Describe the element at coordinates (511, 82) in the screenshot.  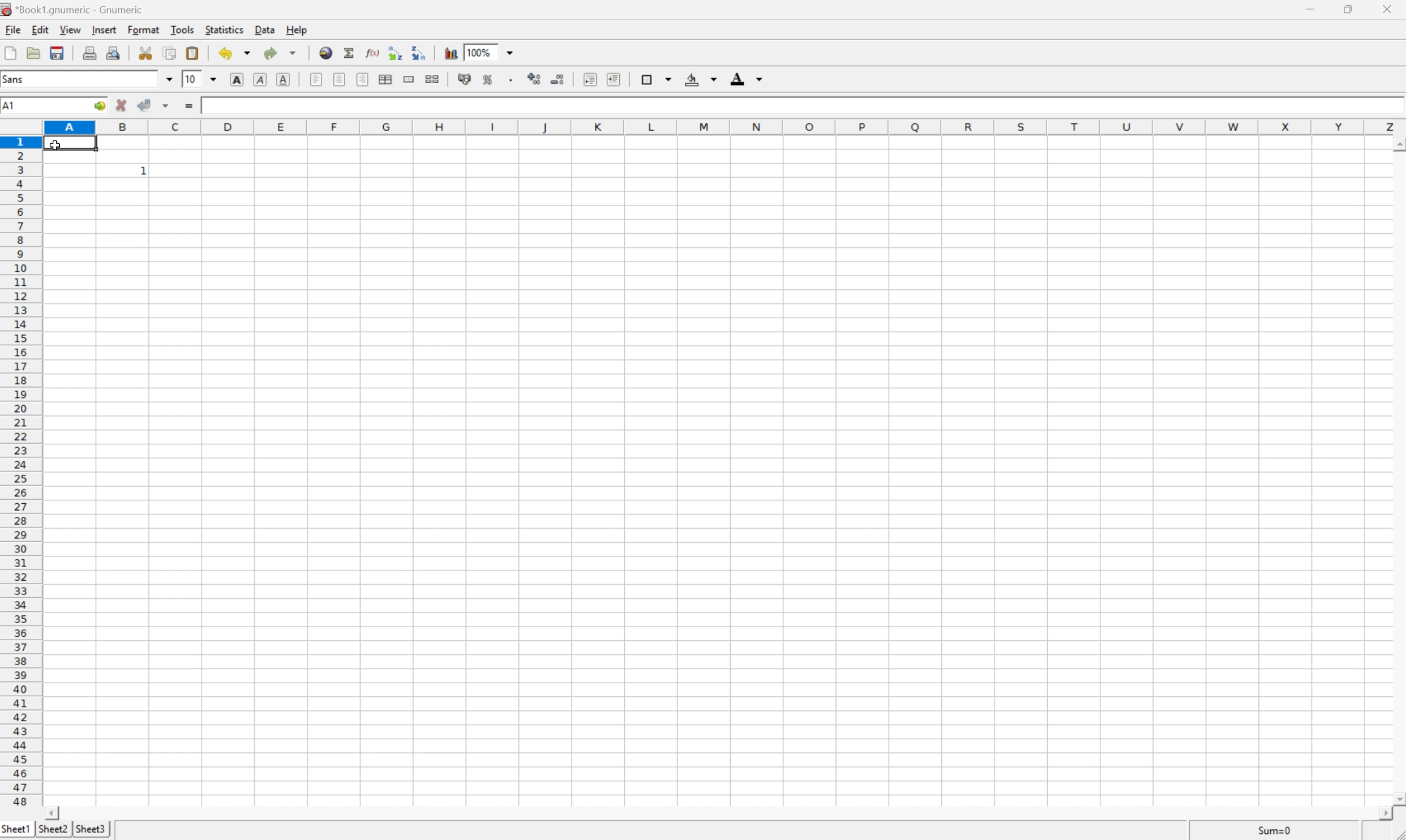
I see `Set the format of the selected cells to include a thousands separator` at that location.